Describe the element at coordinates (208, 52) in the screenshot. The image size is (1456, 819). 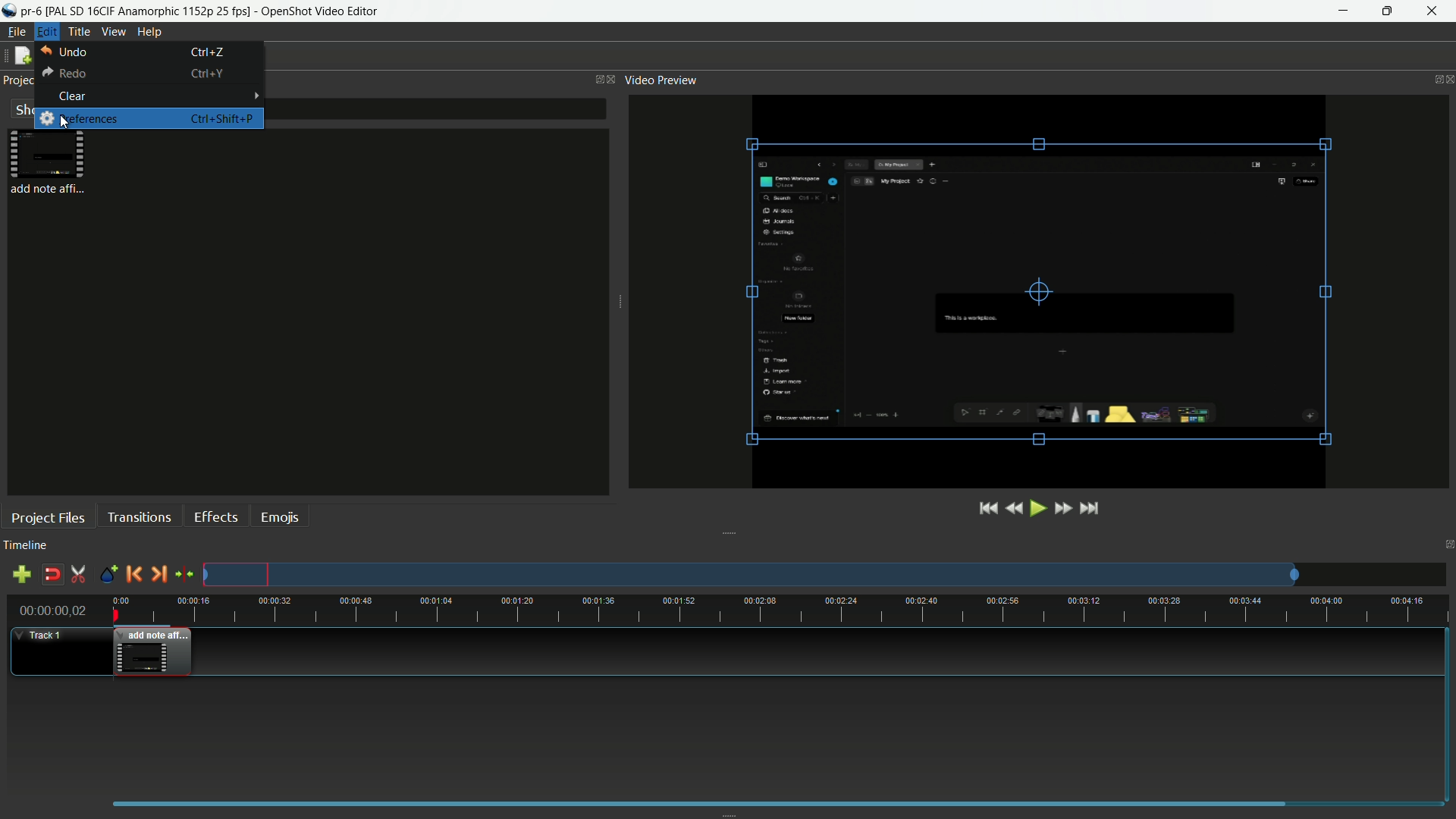
I see `keyboard shortcut` at that location.